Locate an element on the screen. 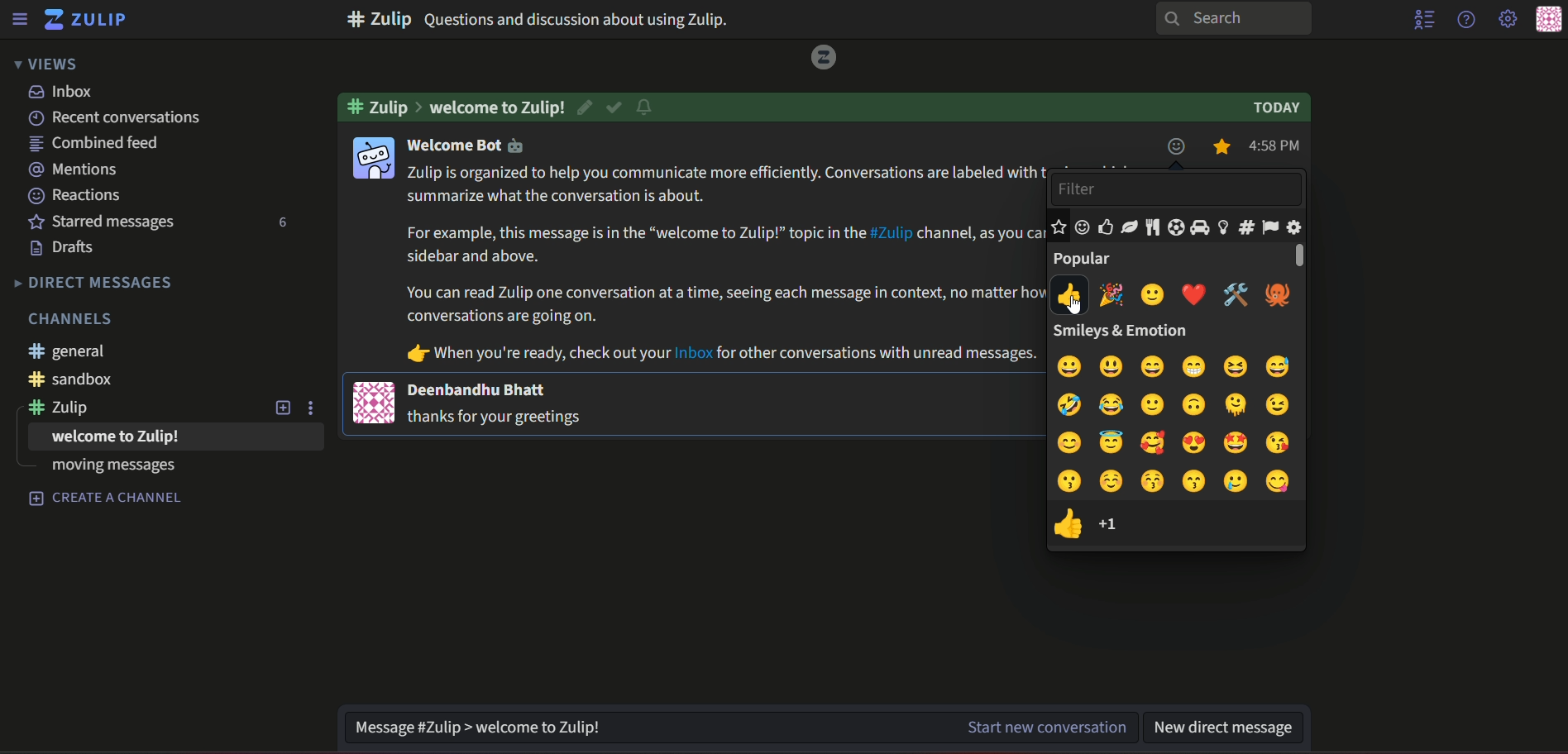 Image resolution: width=1568 pixels, height=754 pixels. emoji is located at coordinates (1177, 404).